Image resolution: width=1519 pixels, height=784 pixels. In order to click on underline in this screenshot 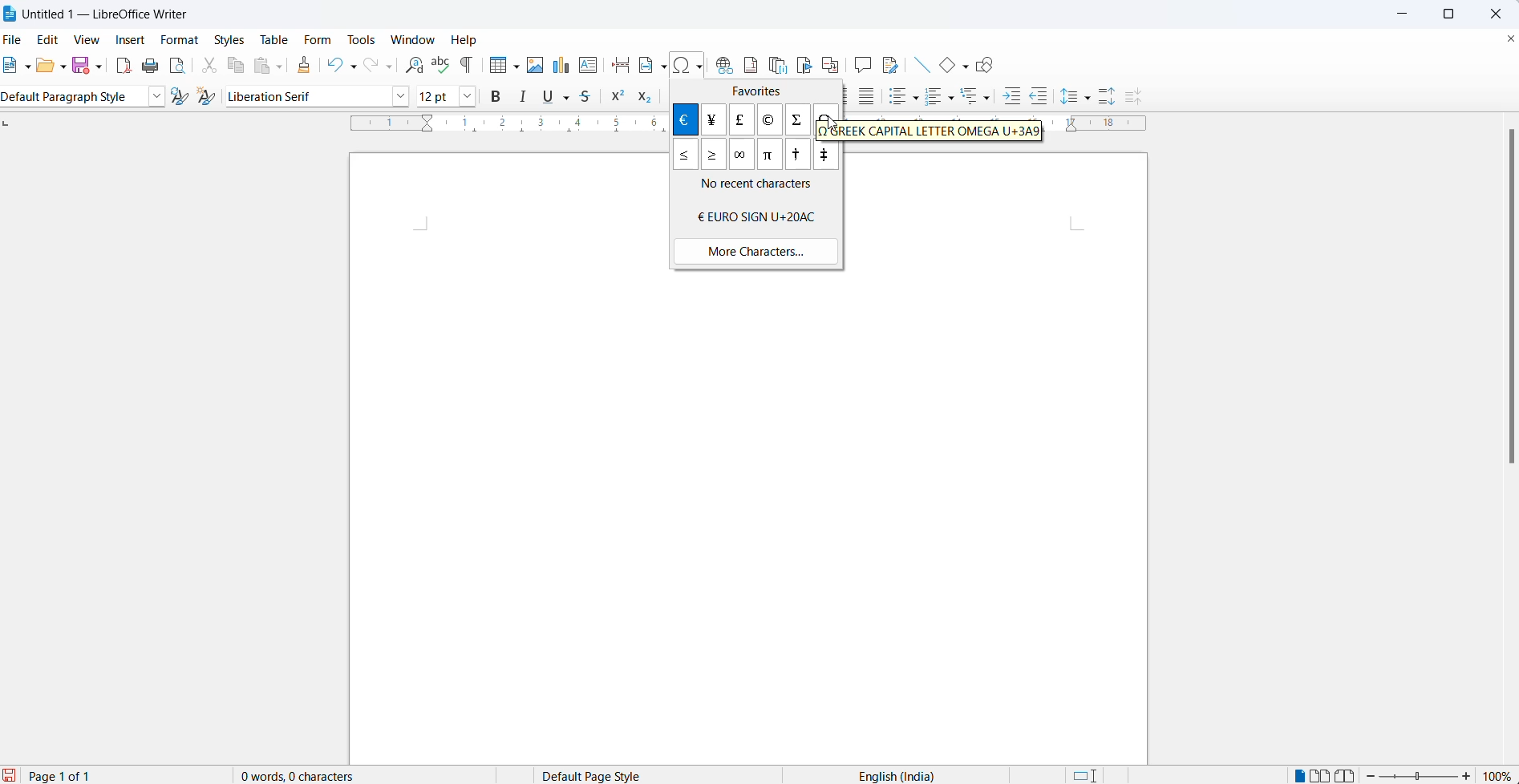, I will do `click(547, 96)`.